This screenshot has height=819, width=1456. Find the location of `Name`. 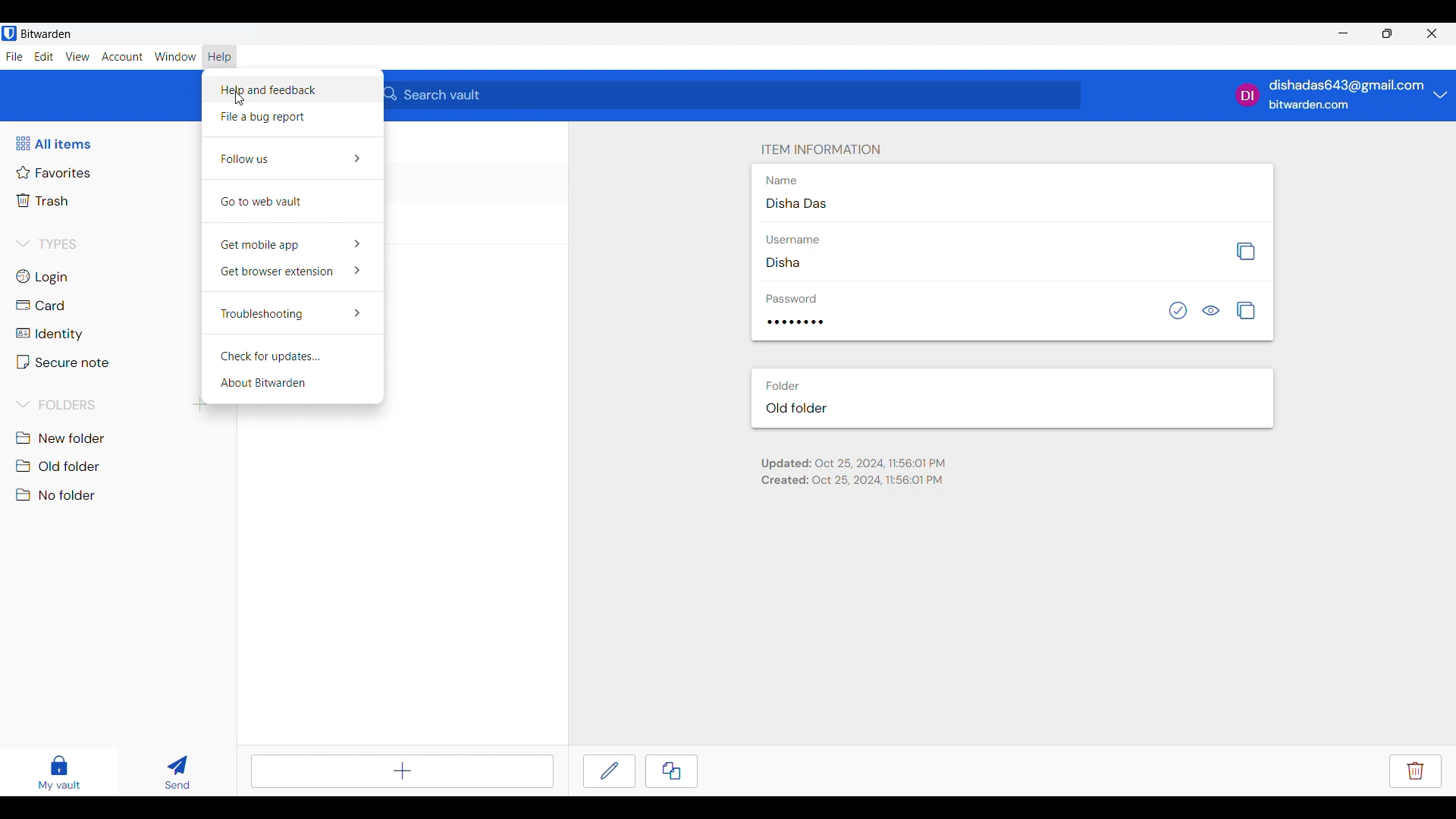

Name is located at coordinates (782, 180).